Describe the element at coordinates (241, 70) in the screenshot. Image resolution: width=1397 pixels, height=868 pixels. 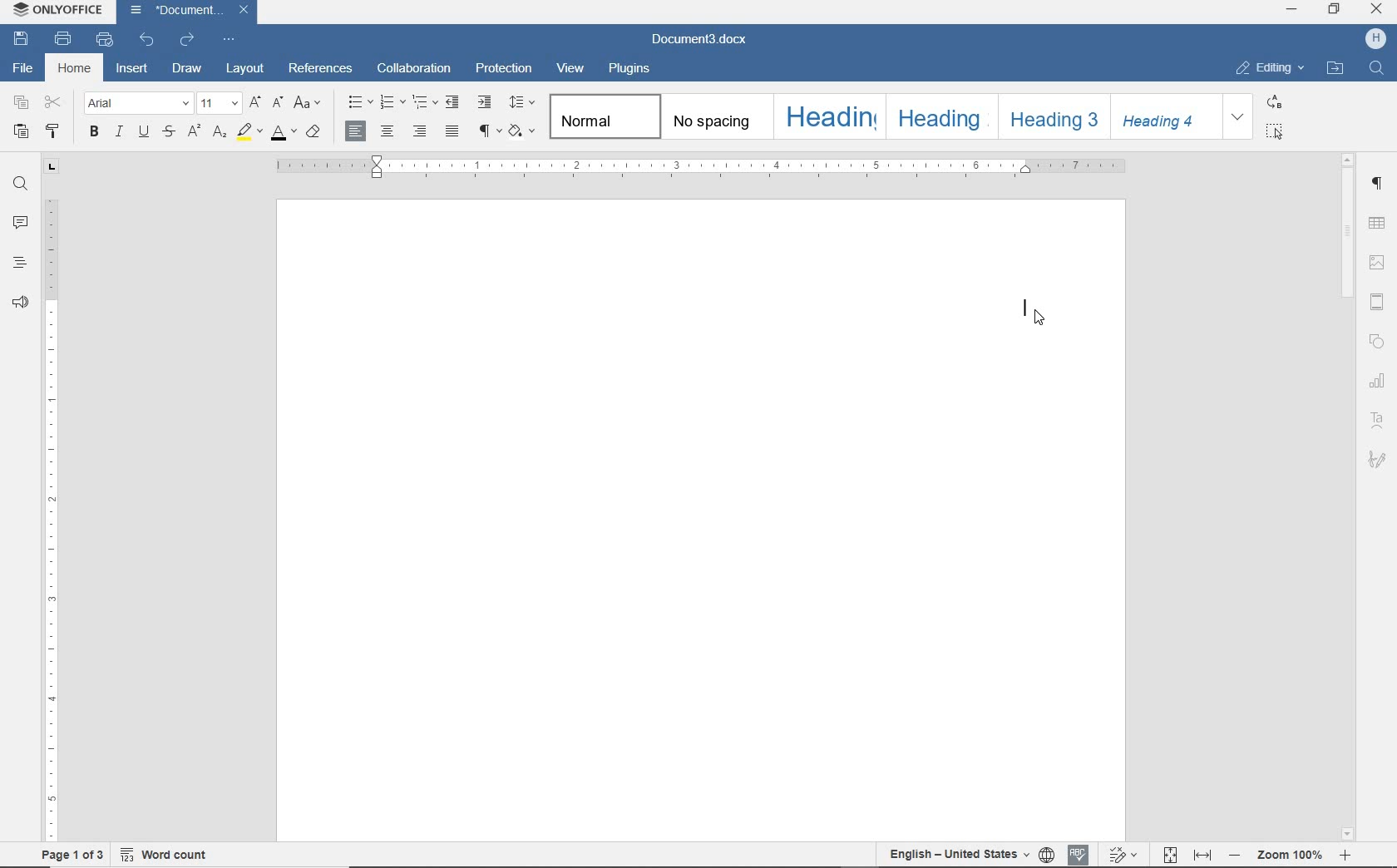
I see `LAYOUT` at that location.